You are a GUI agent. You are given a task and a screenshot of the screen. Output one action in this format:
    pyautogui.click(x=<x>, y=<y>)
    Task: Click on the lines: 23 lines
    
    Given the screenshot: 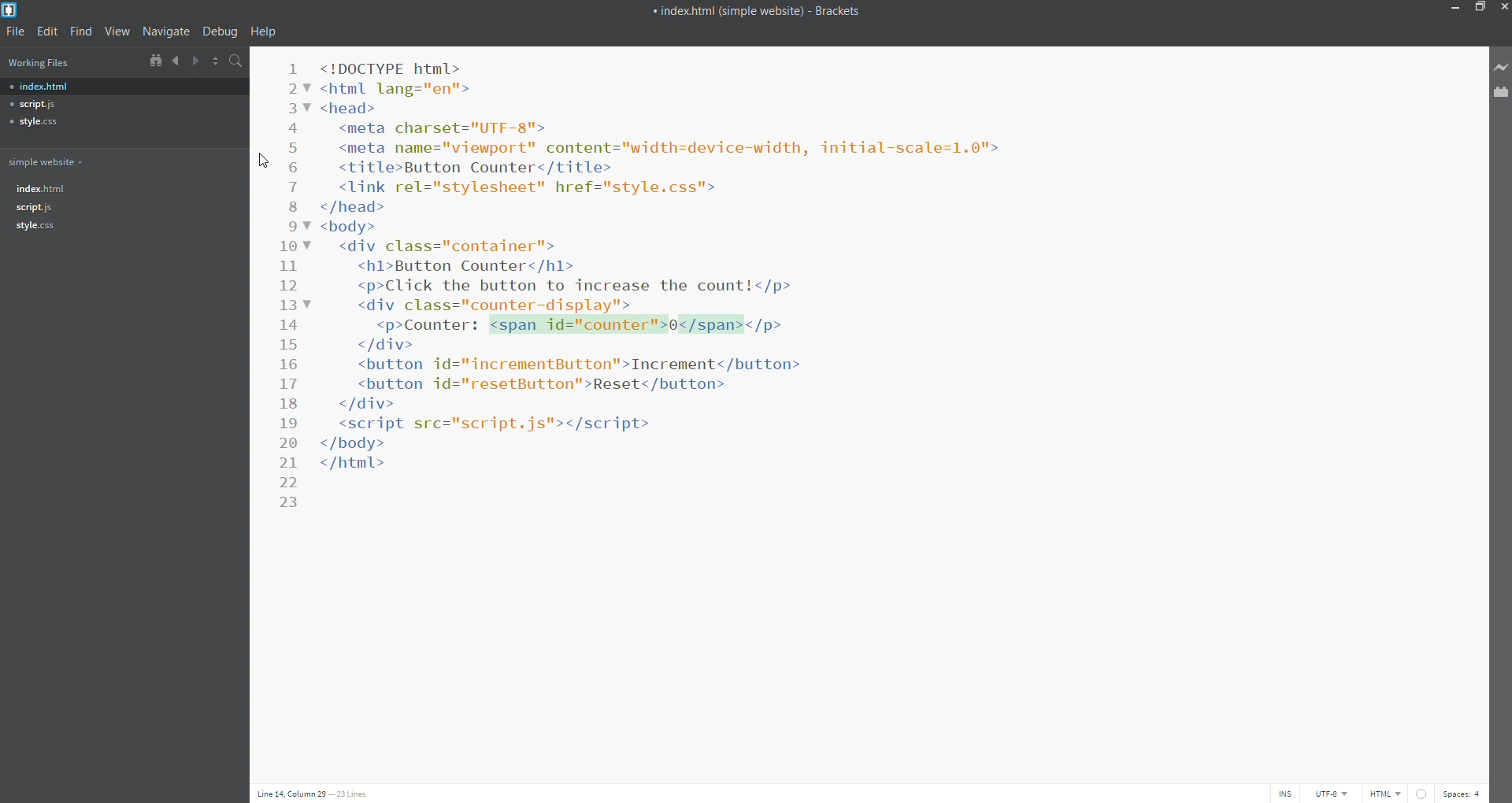 What is the action you would take?
    pyautogui.click(x=354, y=794)
    